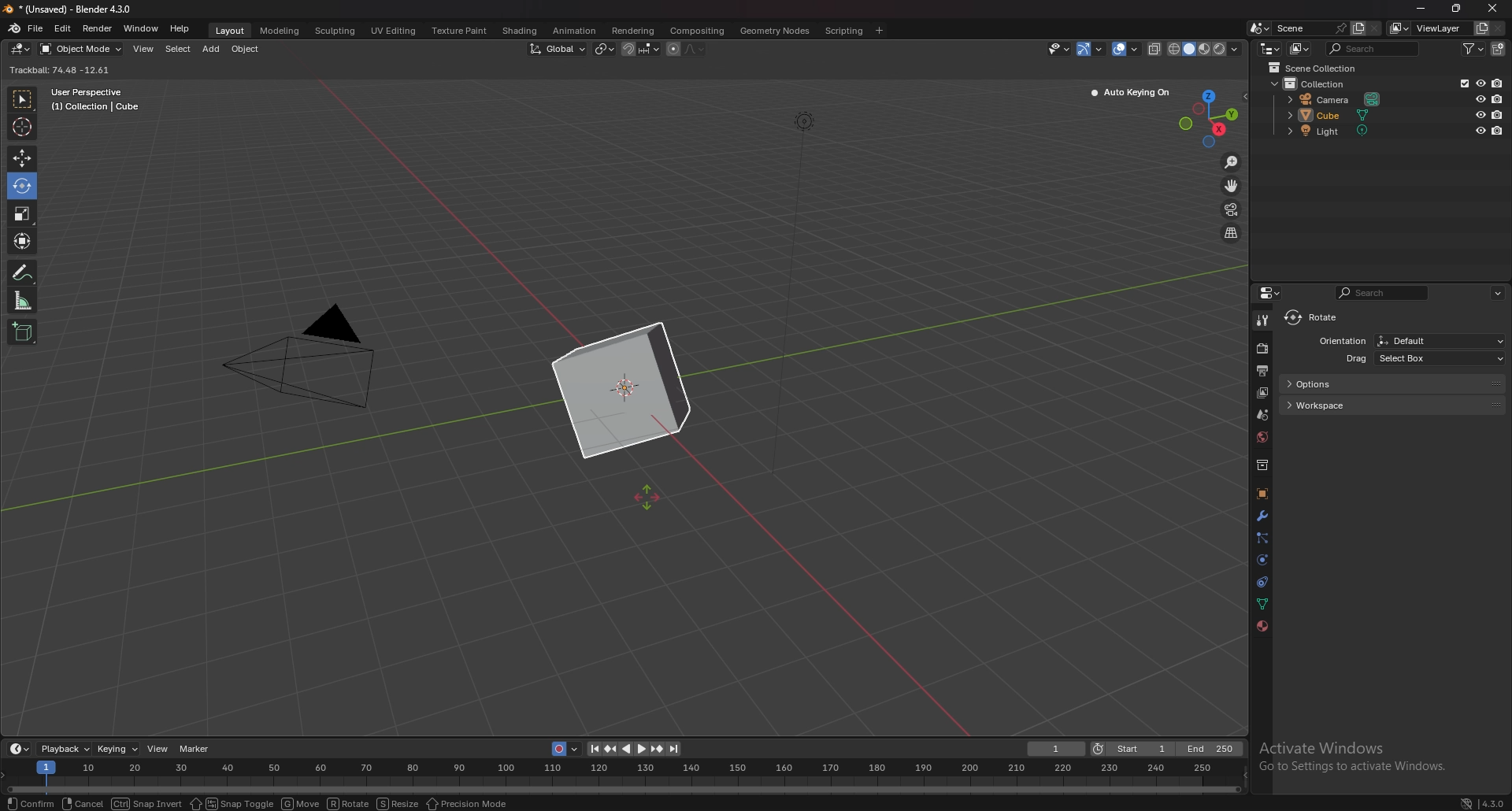 The image size is (1512, 811). I want to click on search, so click(1383, 292).